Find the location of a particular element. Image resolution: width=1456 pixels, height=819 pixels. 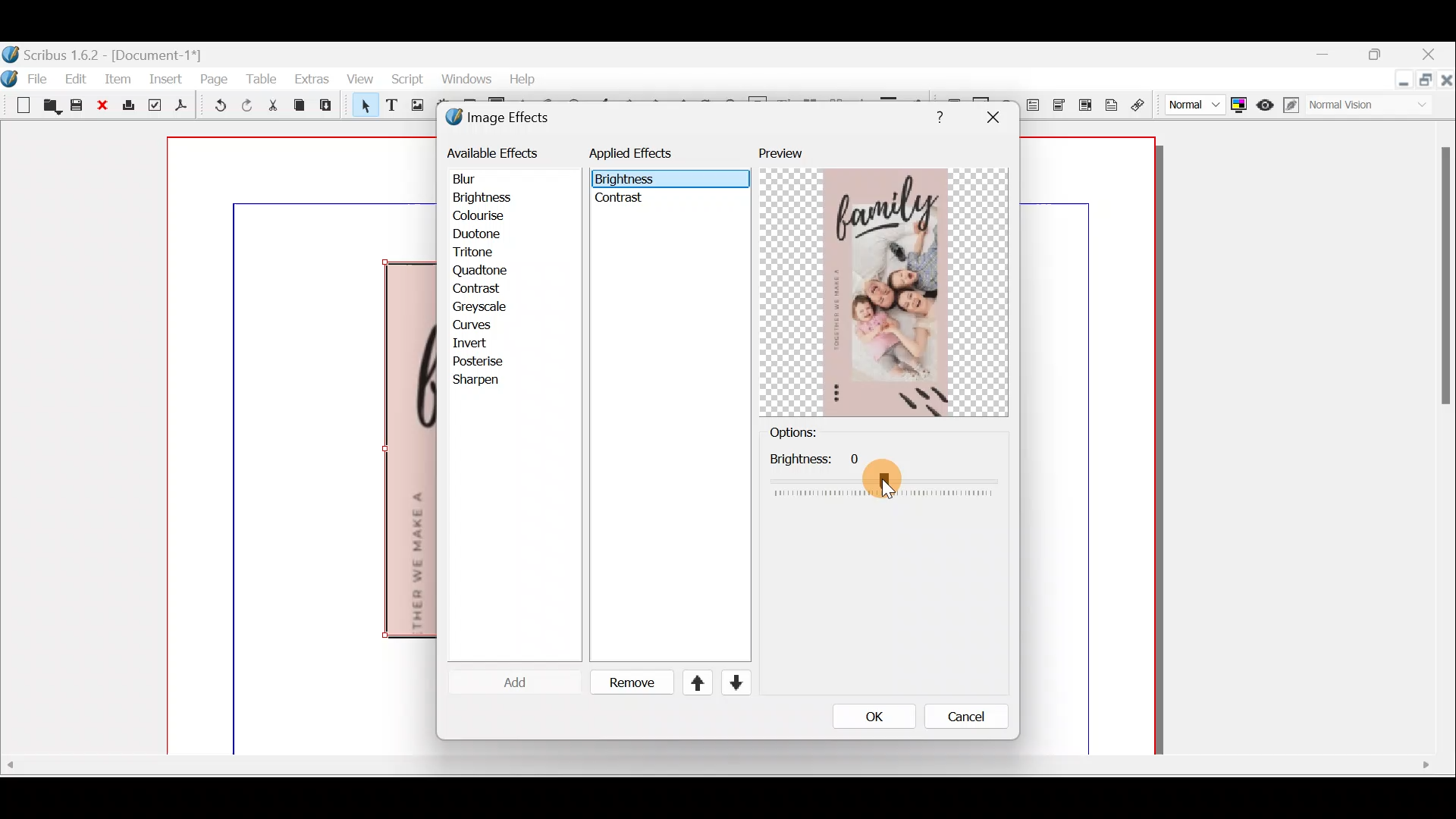

Close is located at coordinates (1447, 83).